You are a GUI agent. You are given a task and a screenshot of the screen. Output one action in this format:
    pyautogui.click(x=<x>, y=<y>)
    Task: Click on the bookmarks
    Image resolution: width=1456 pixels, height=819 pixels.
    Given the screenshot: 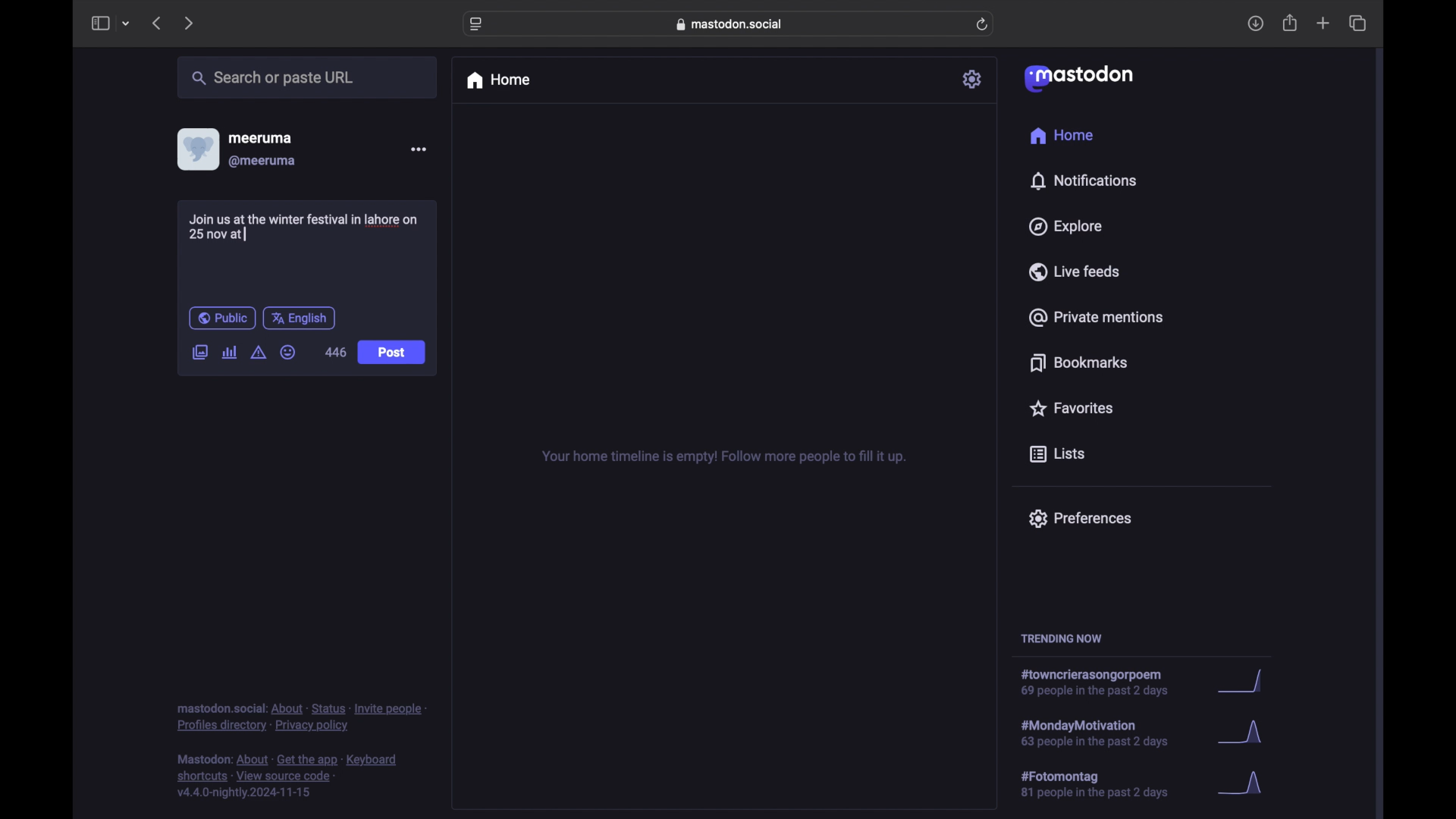 What is the action you would take?
    pyautogui.click(x=1078, y=362)
    